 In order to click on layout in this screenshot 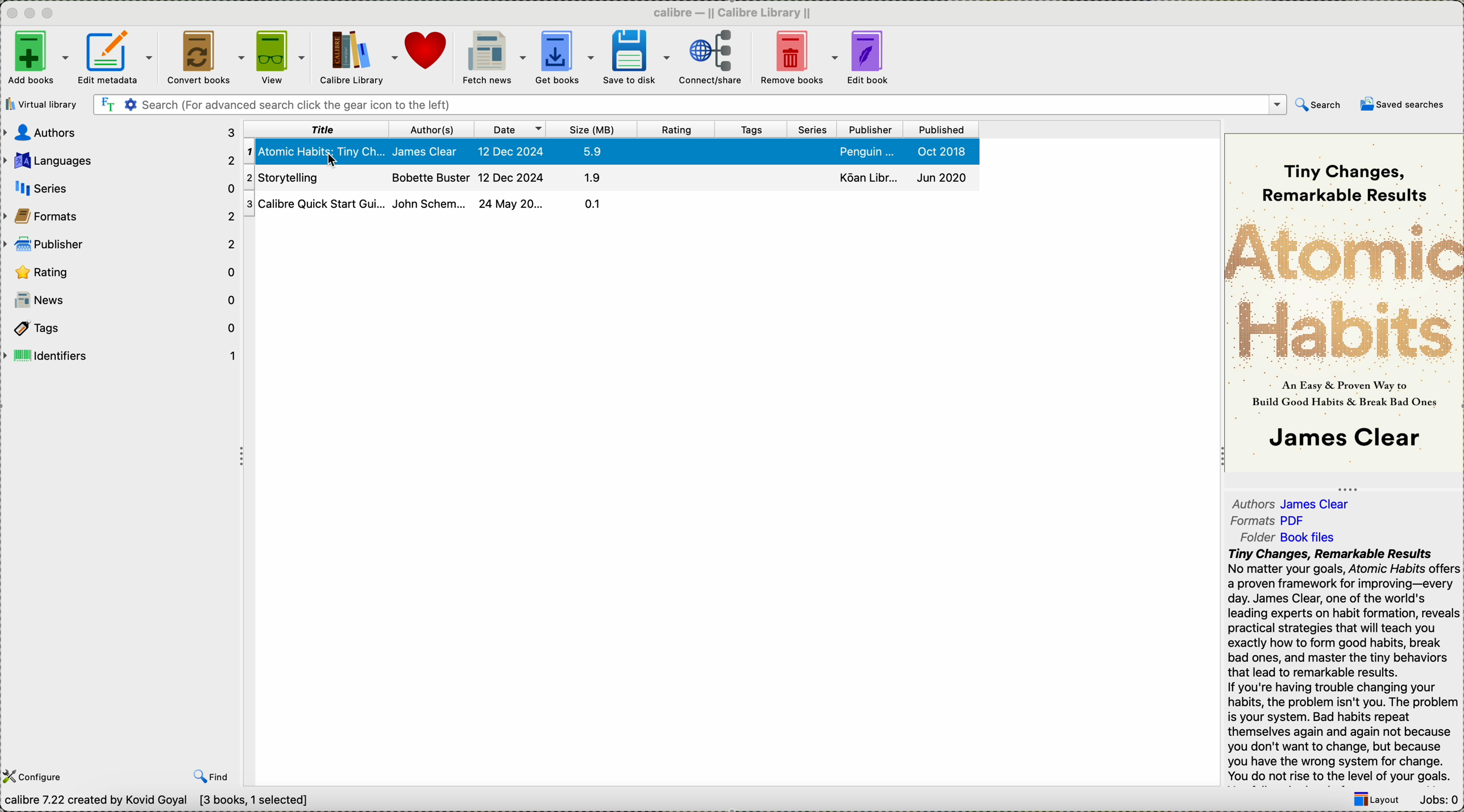, I will do `click(1375, 801)`.